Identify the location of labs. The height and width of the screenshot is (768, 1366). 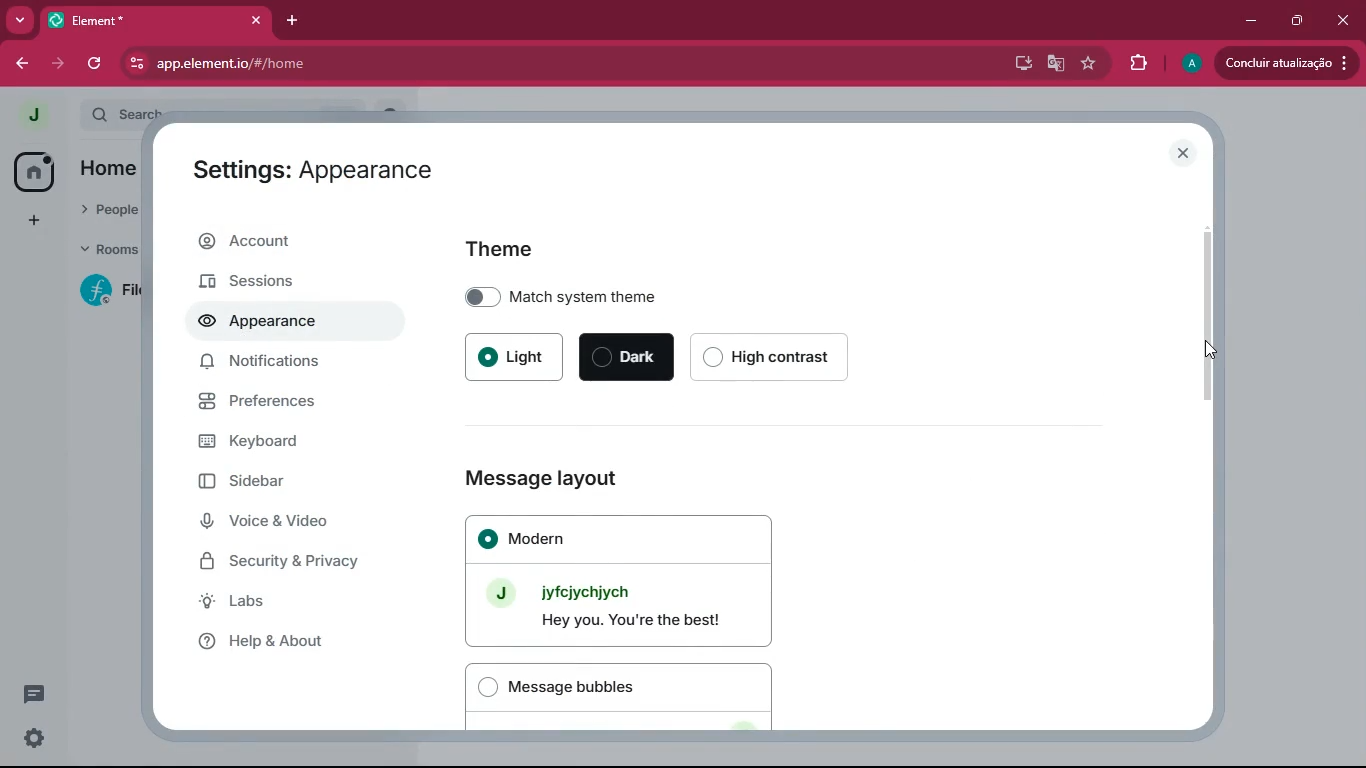
(282, 602).